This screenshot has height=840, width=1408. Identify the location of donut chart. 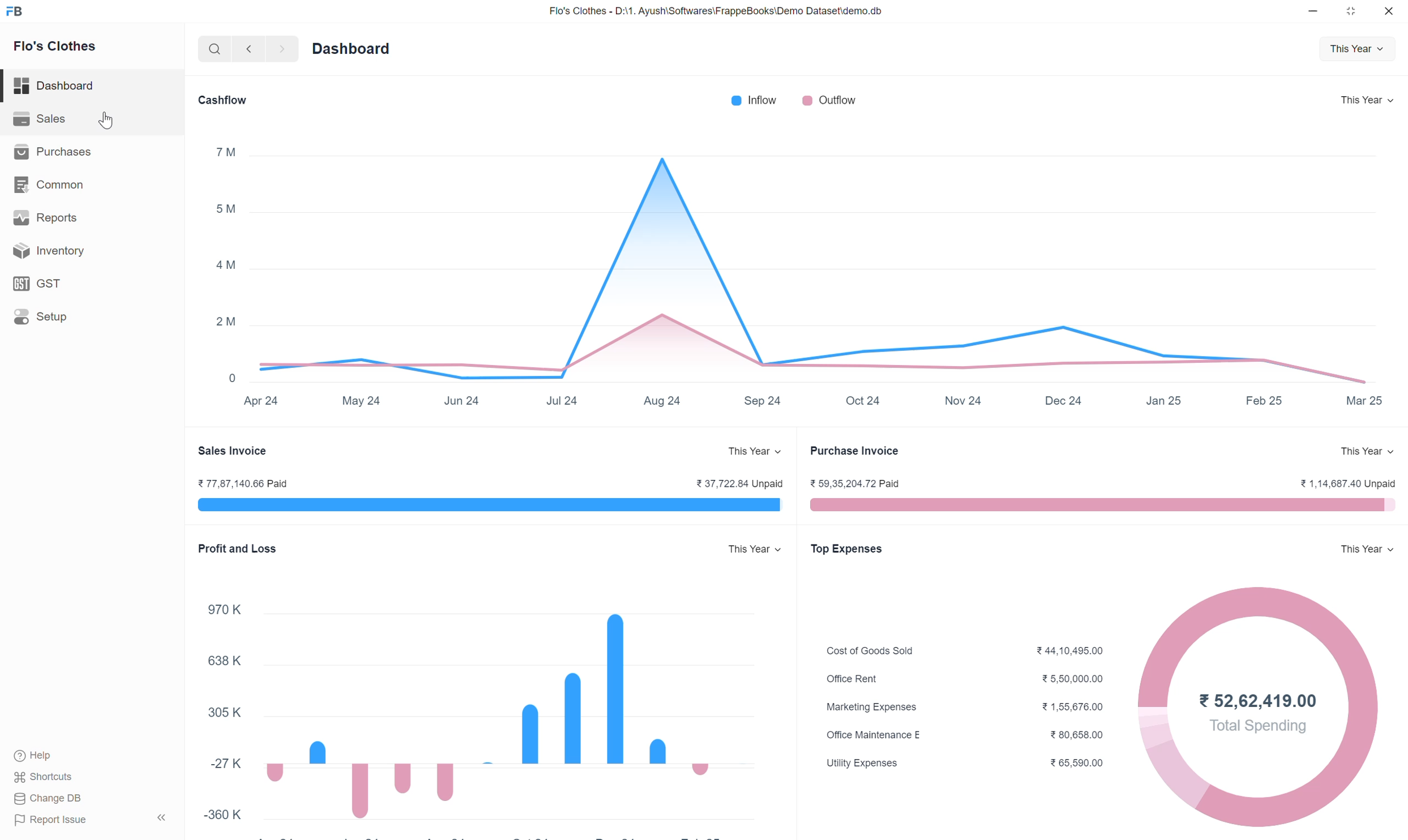
(1255, 788).